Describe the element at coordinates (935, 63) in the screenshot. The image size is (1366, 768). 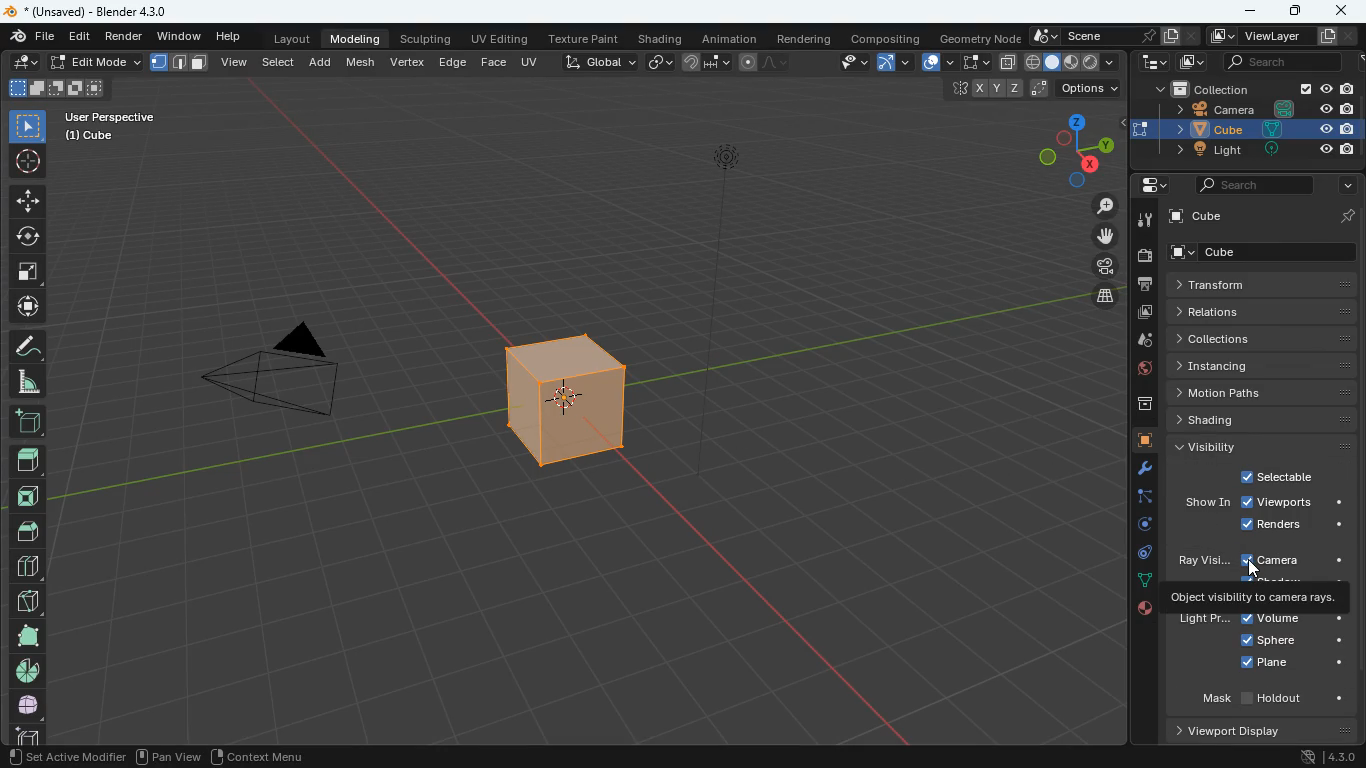
I see `overlap` at that location.